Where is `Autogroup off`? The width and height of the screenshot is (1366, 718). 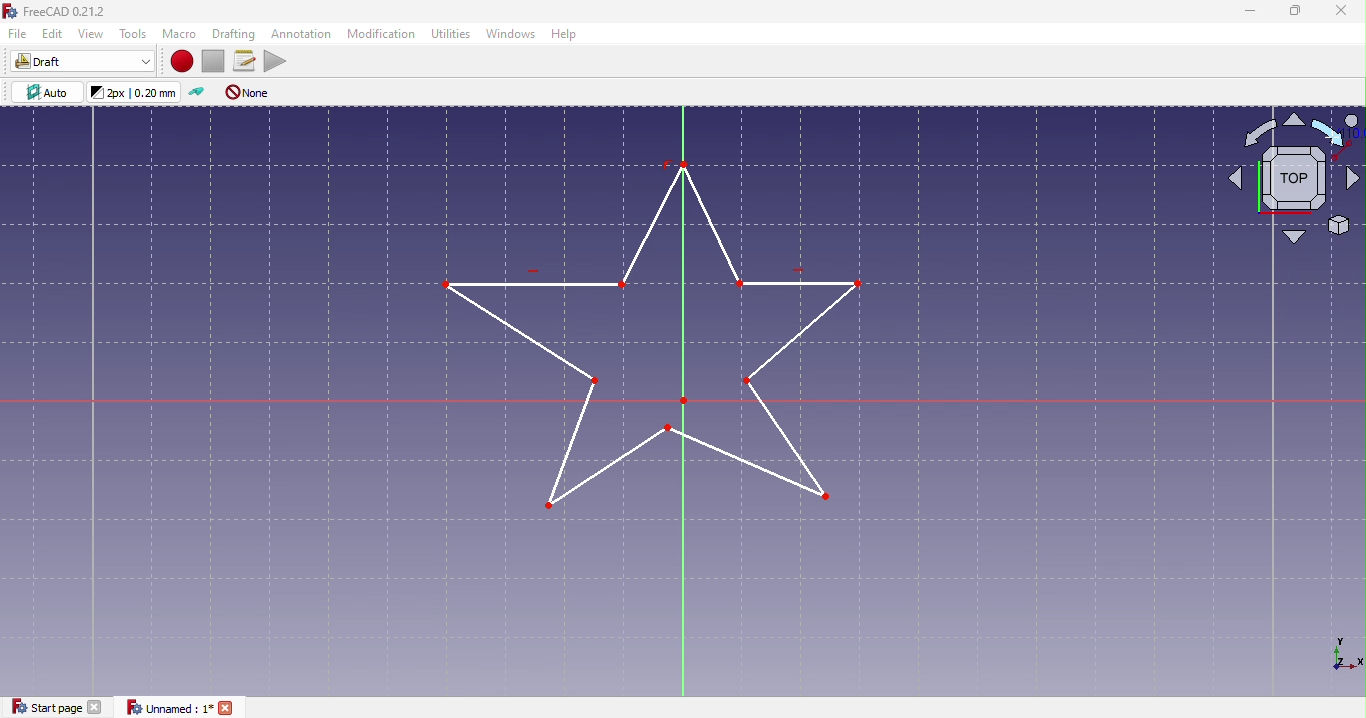 Autogroup off is located at coordinates (252, 92).